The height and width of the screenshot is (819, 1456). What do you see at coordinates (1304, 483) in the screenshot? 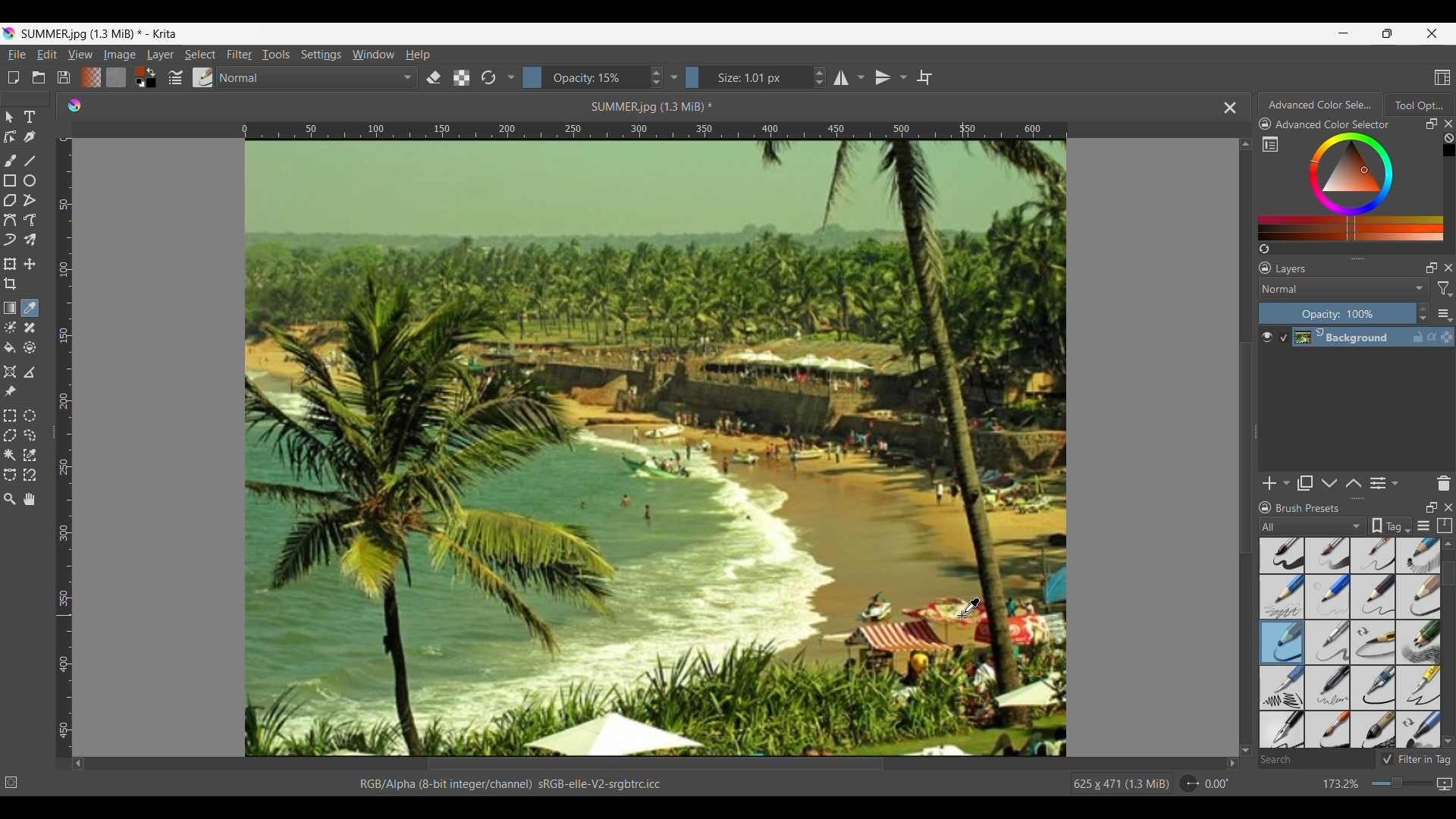
I see `Duplicate layer or mask` at bounding box center [1304, 483].